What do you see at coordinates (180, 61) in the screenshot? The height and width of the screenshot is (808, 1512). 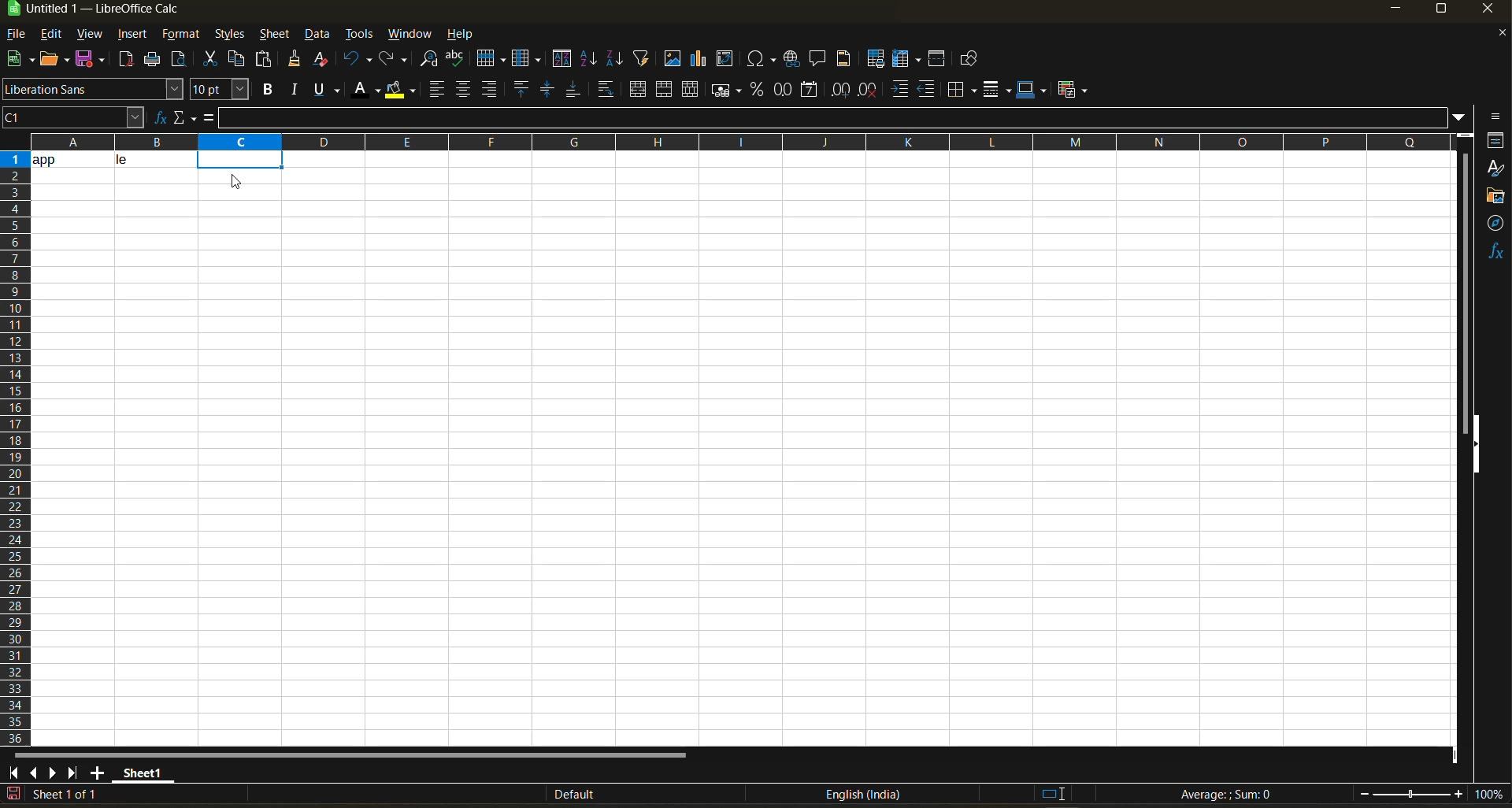 I see `toggle print preview` at bounding box center [180, 61].